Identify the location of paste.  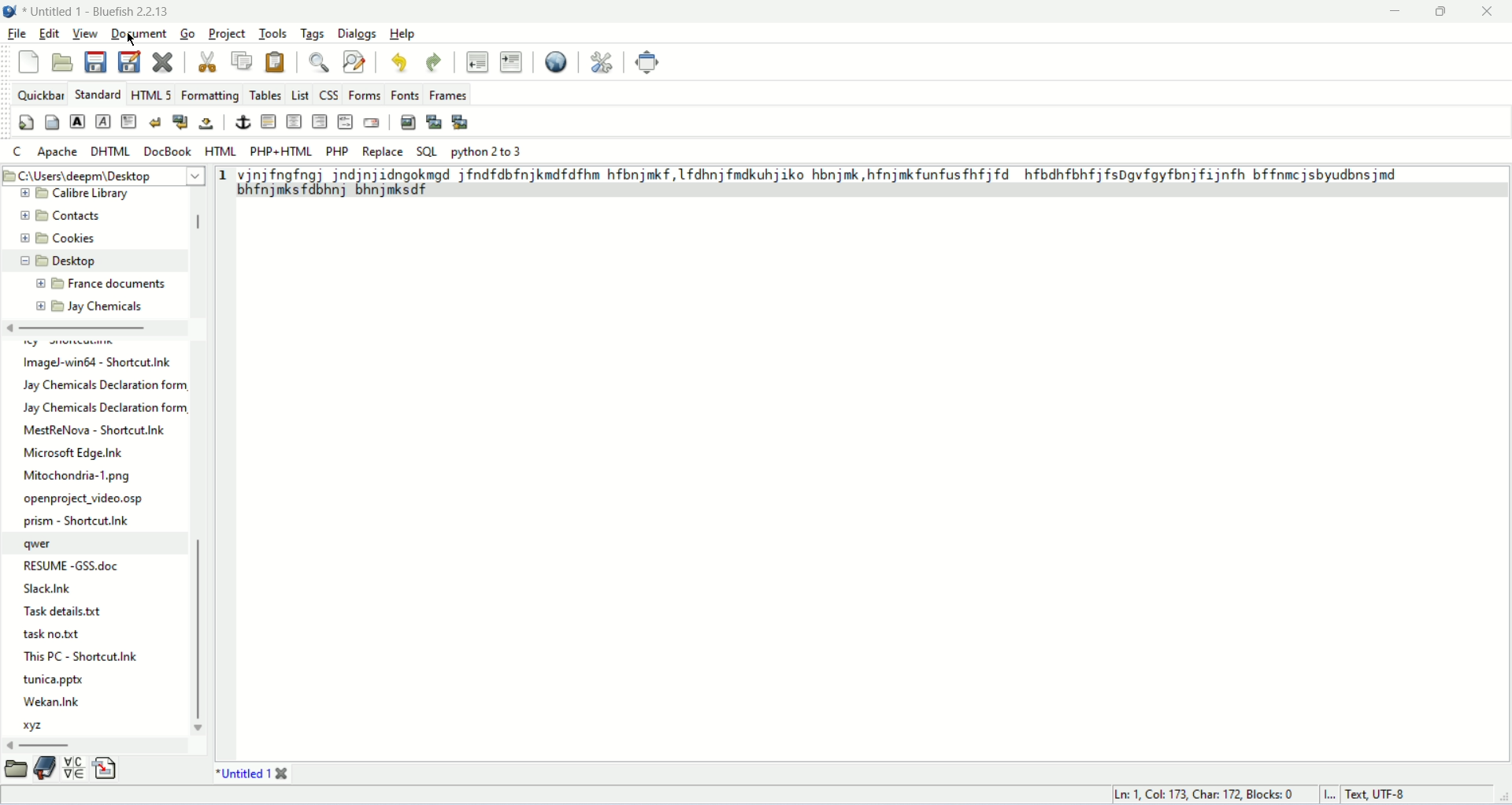
(277, 61).